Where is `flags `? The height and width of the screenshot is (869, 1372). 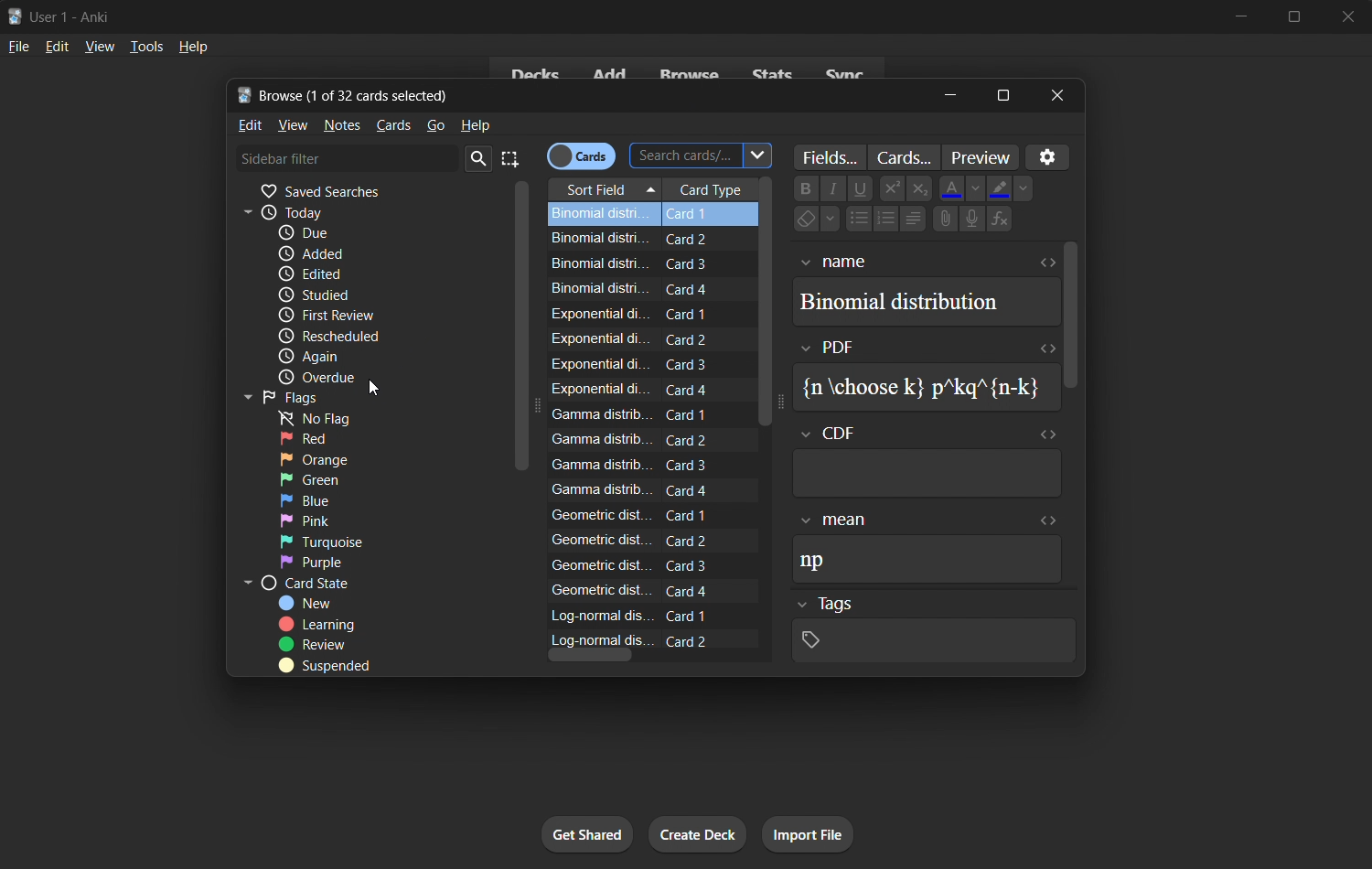
flags  is located at coordinates (292, 397).